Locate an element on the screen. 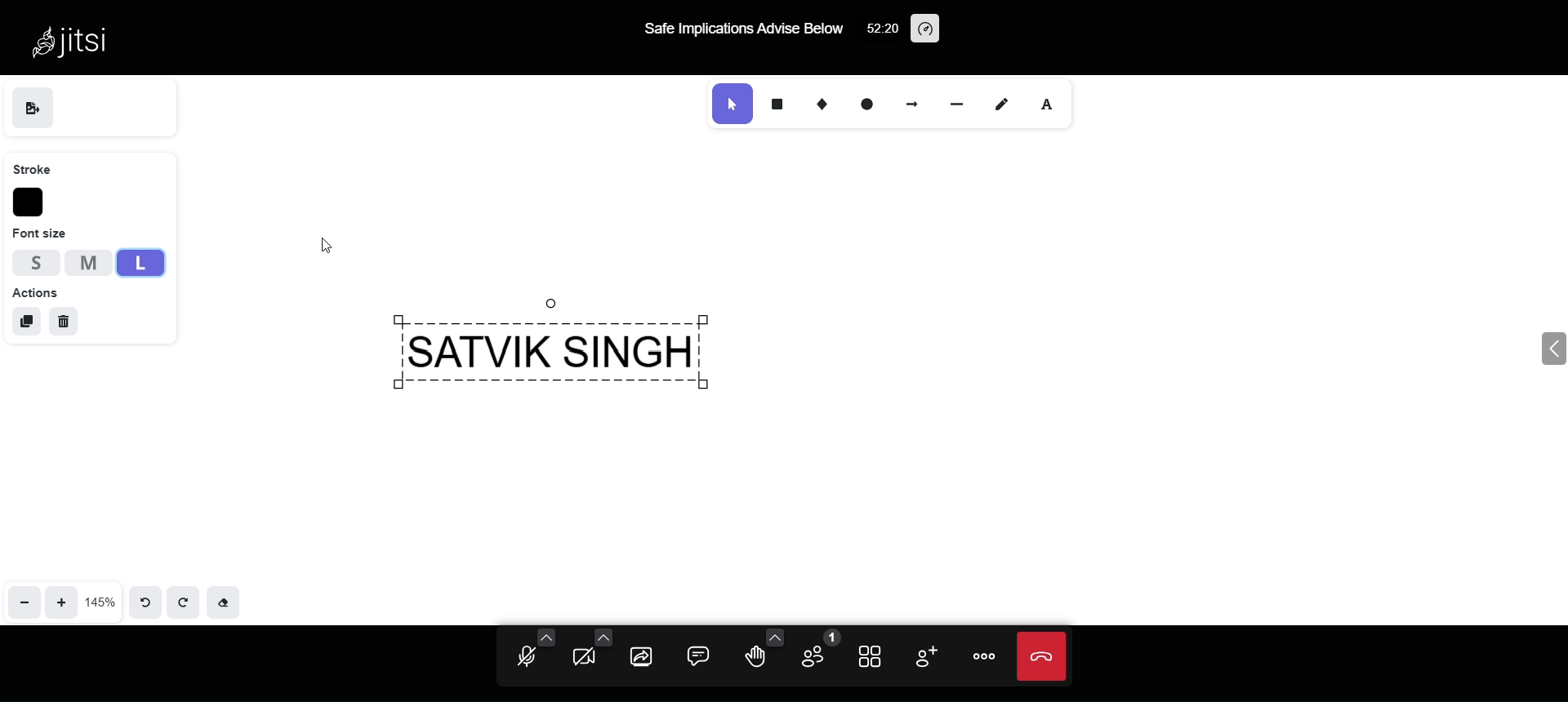 The width and height of the screenshot is (1568, 702). actions is located at coordinates (36, 292).